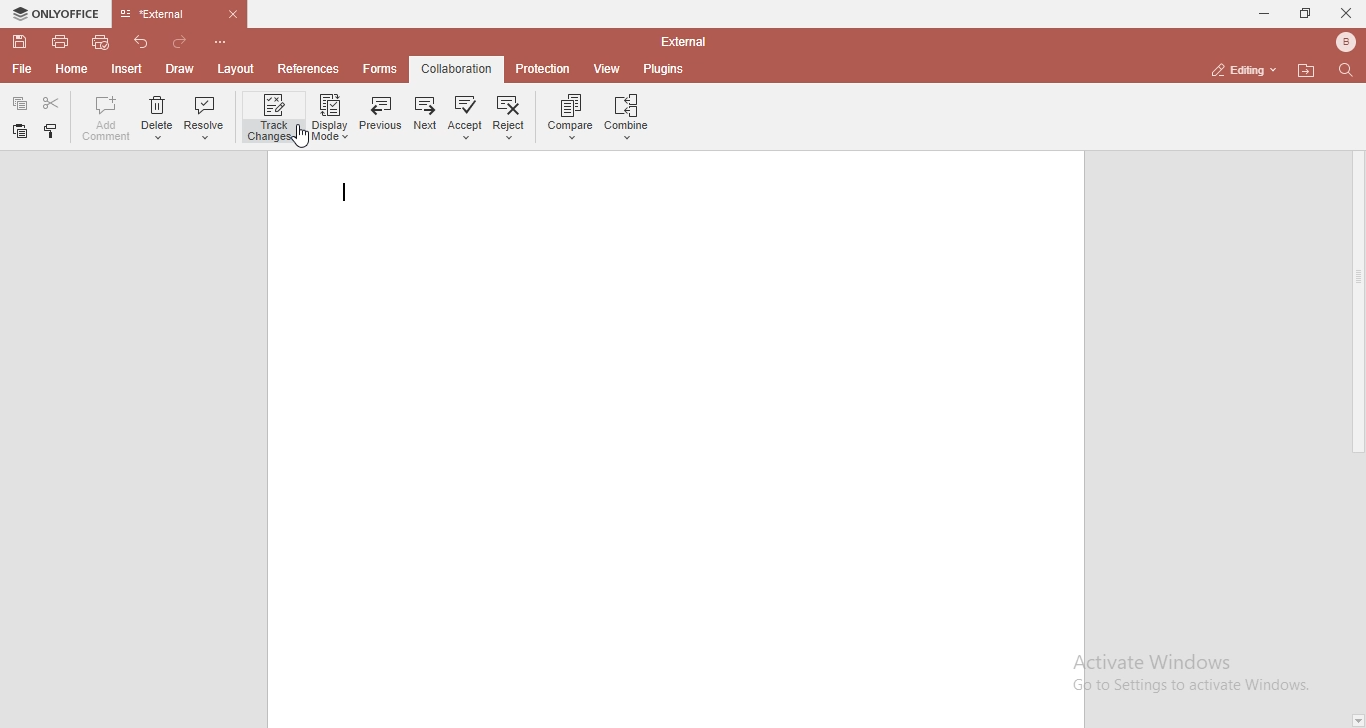 Image resolution: width=1366 pixels, height=728 pixels. I want to click on onlyoffice, so click(58, 13).